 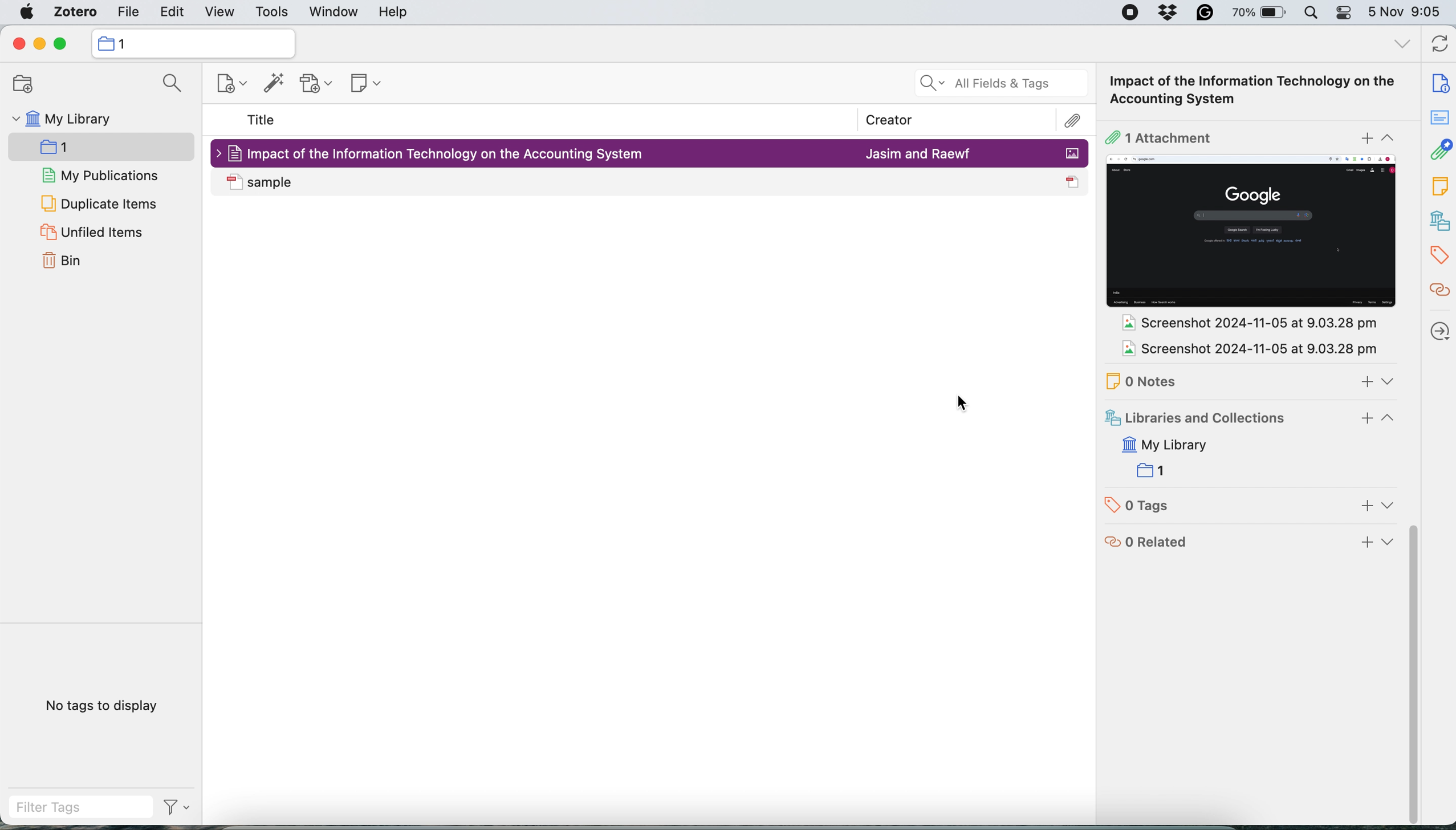 What do you see at coordinates (1408, 13) in the screenshot?
I see `5 Nov 9:05` at bounding box center [1408, 13].